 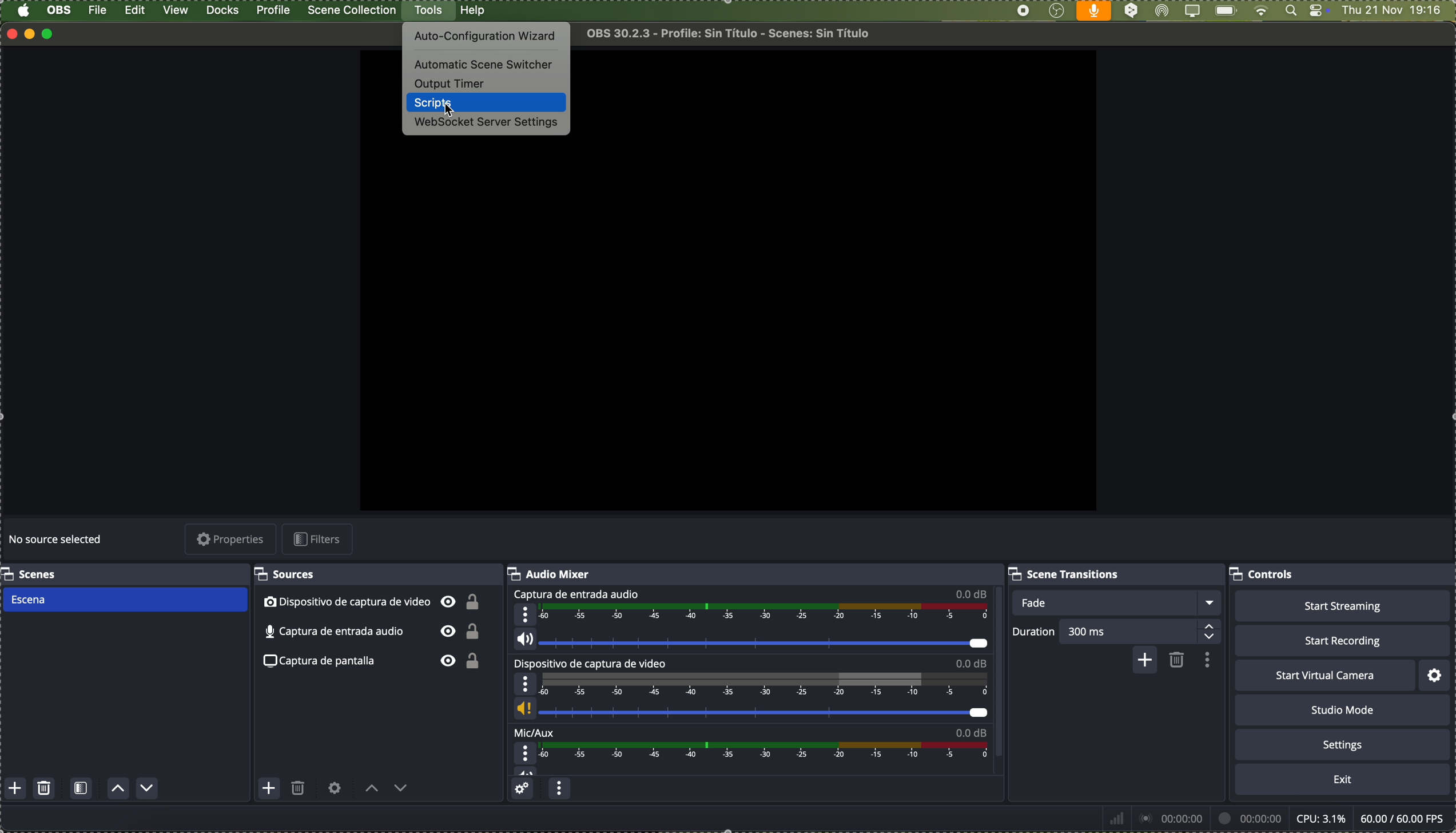 What do you see at coordinates (371, 632) in the screenshot?
I see `audio input capture` at bounding box center [371, 632].